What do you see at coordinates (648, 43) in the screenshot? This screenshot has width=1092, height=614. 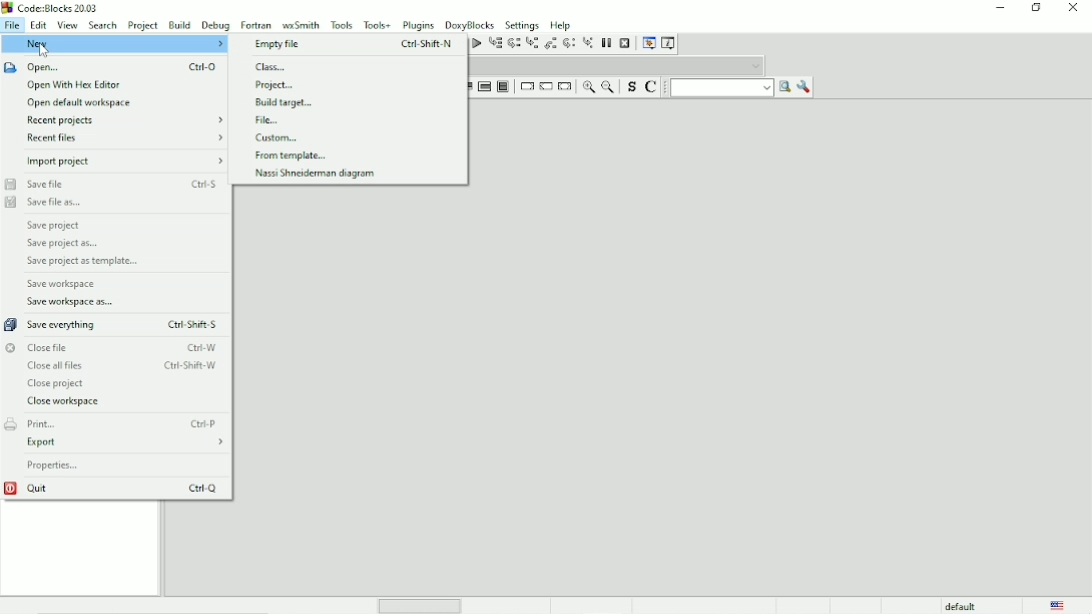 I see `Debugging windows` at bounding box center [648, 43].